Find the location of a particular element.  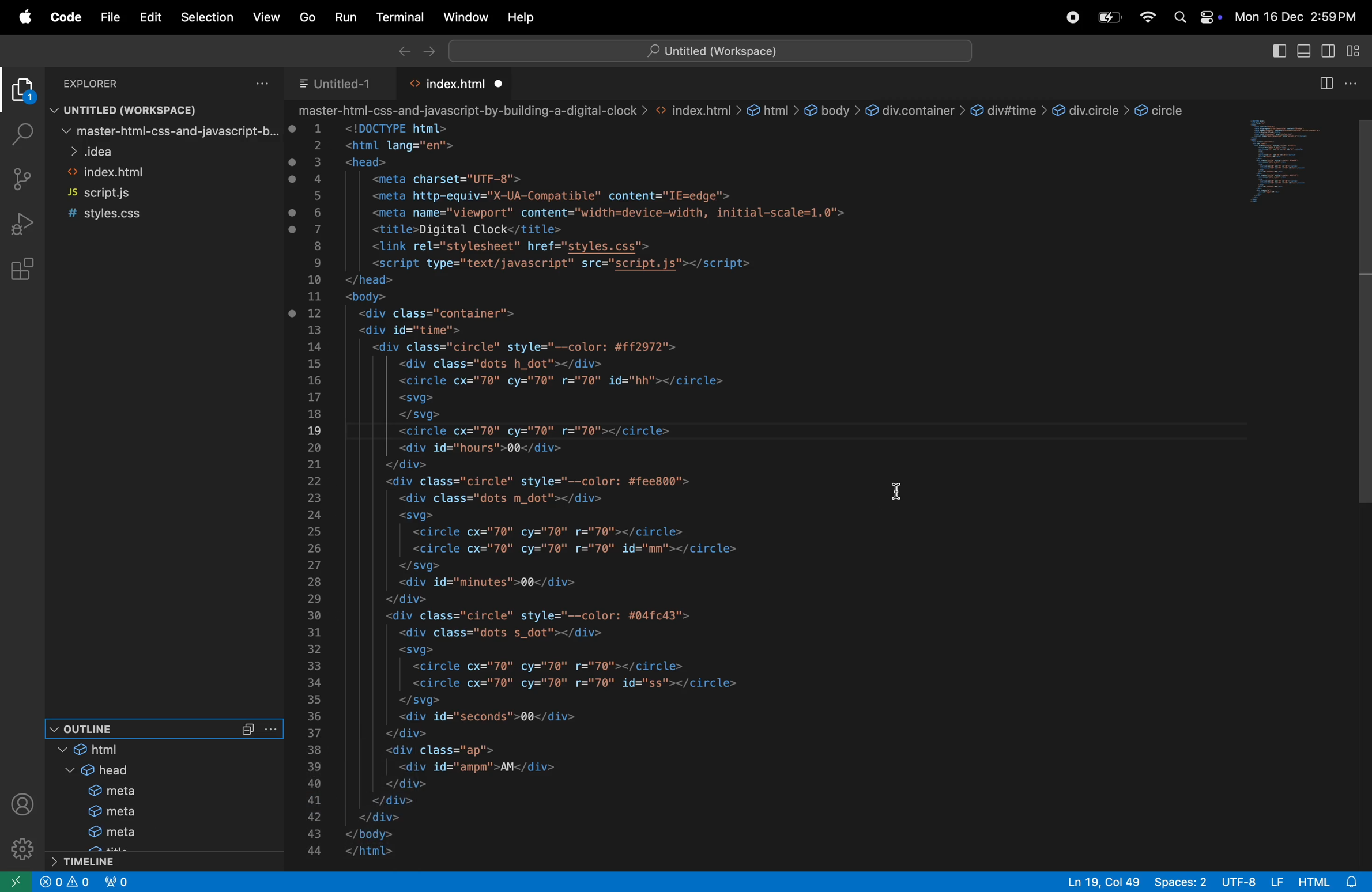

master file is located at coordinates (168, 131).